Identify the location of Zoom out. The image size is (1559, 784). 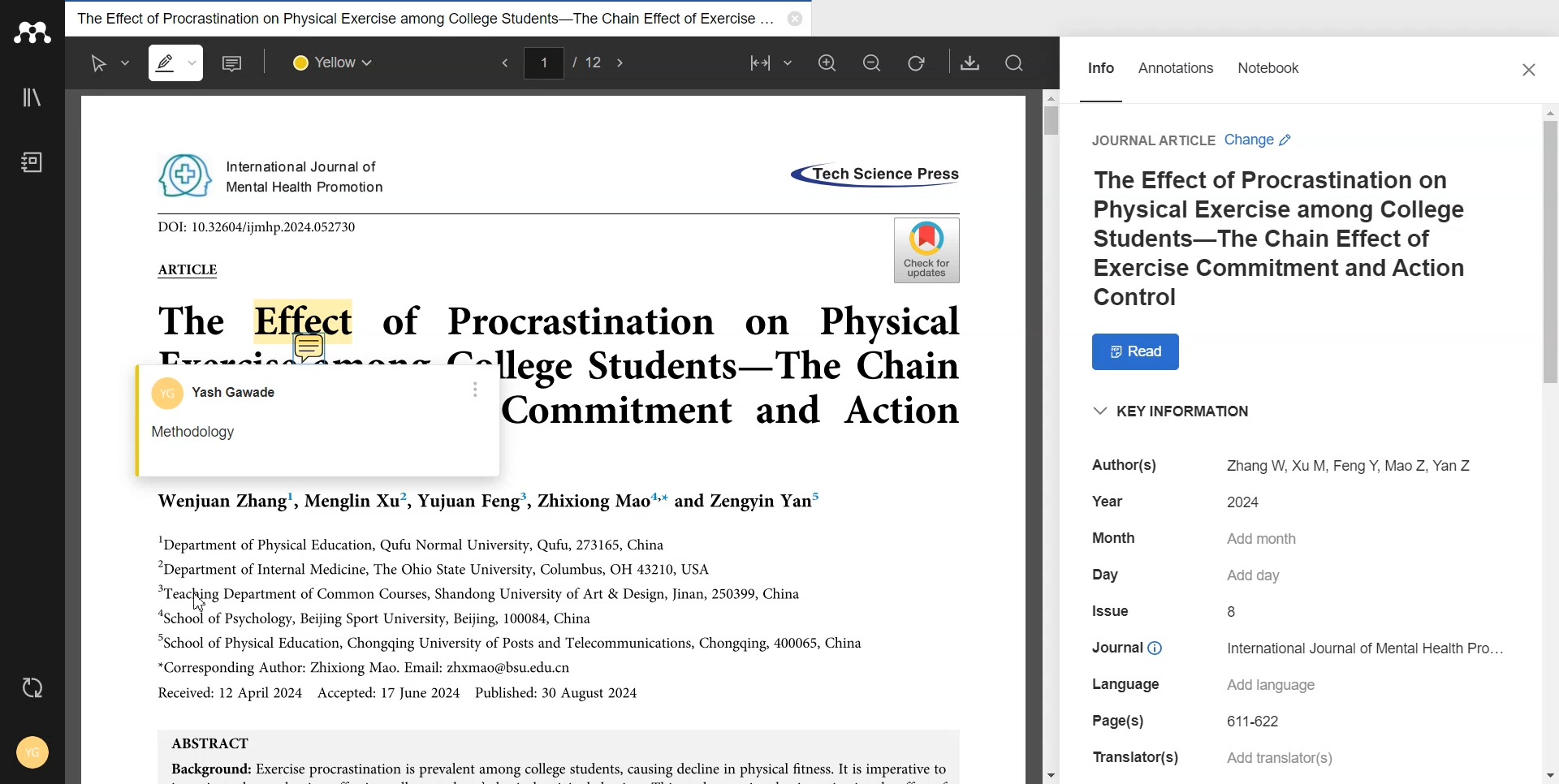
(871, 62).